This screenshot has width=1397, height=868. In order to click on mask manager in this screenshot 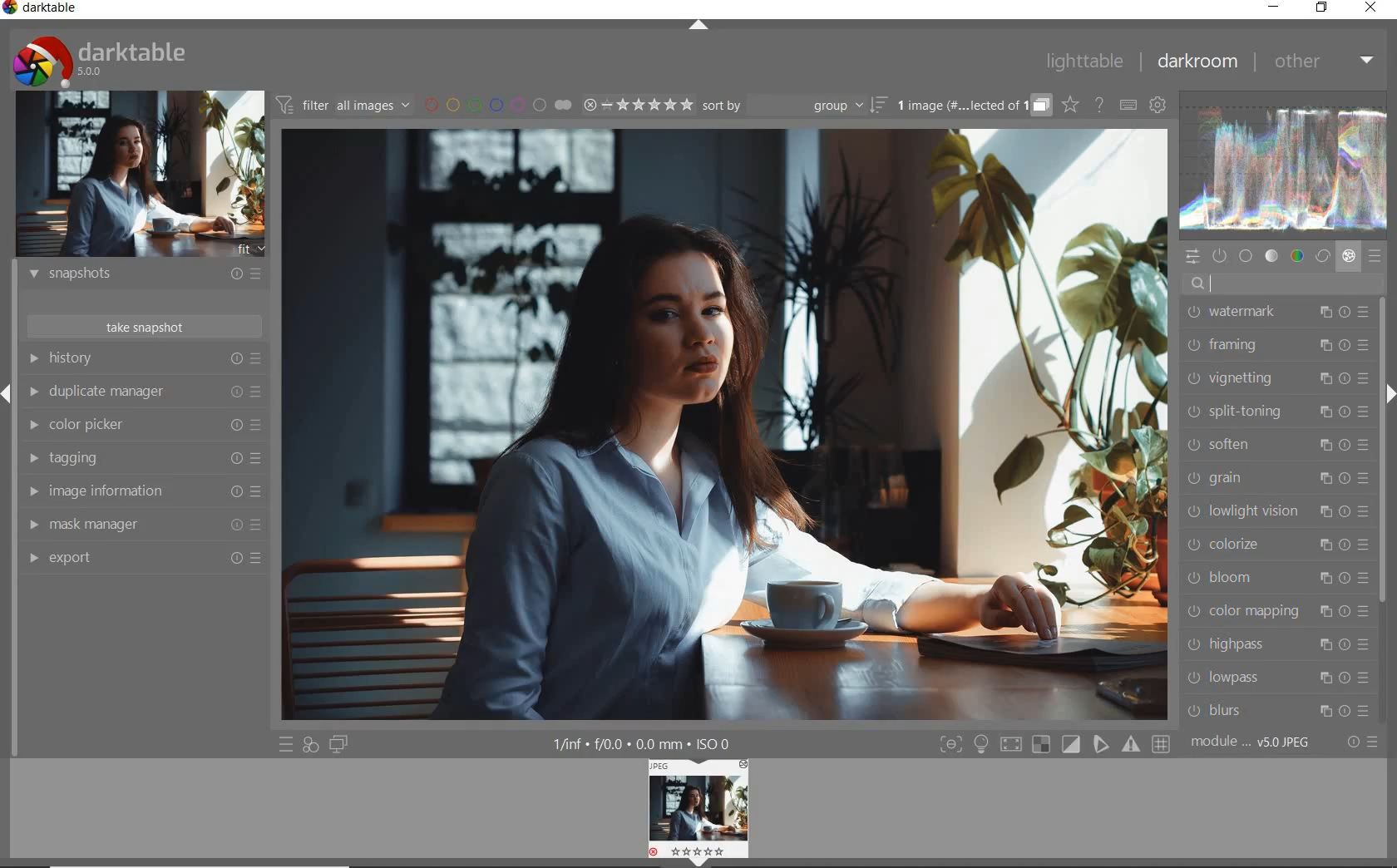, I will do `click(141, 525)`.